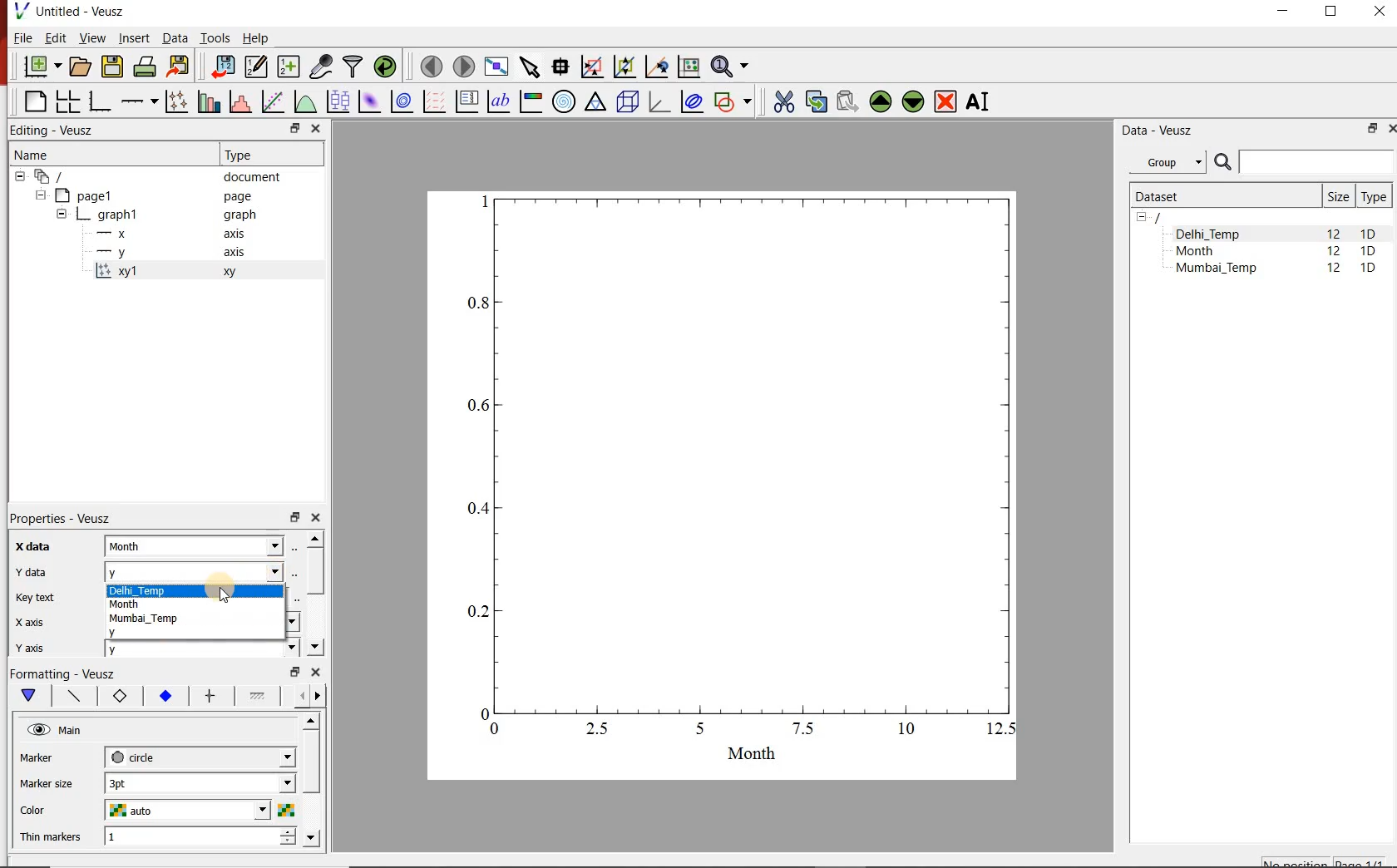  Describe the element at coordinates (174, 37) in the screenshot. I see `Data` at that location.